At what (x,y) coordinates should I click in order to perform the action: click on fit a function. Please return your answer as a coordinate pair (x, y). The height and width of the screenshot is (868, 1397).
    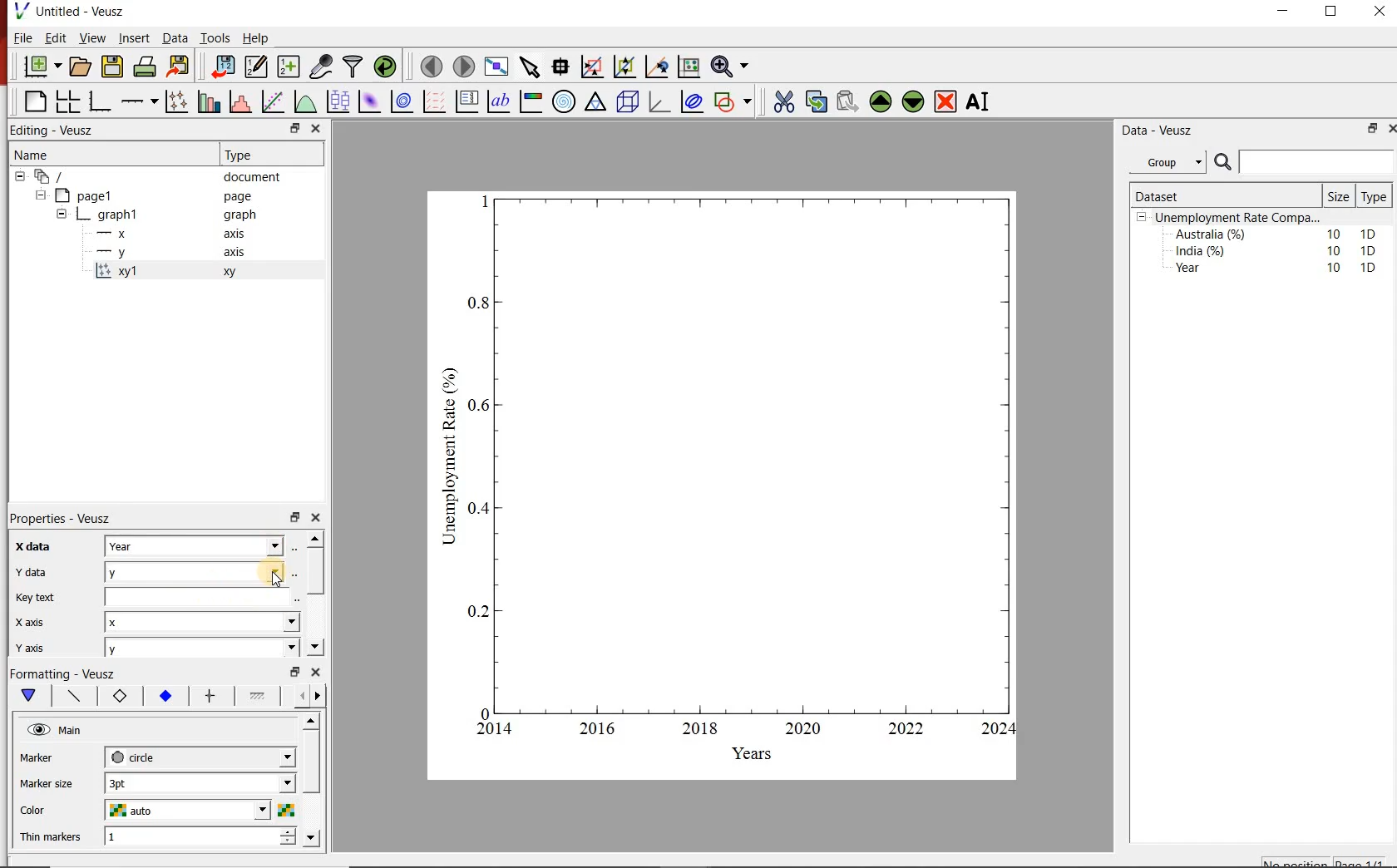
    Looking at the image, I should click on (272, 101).